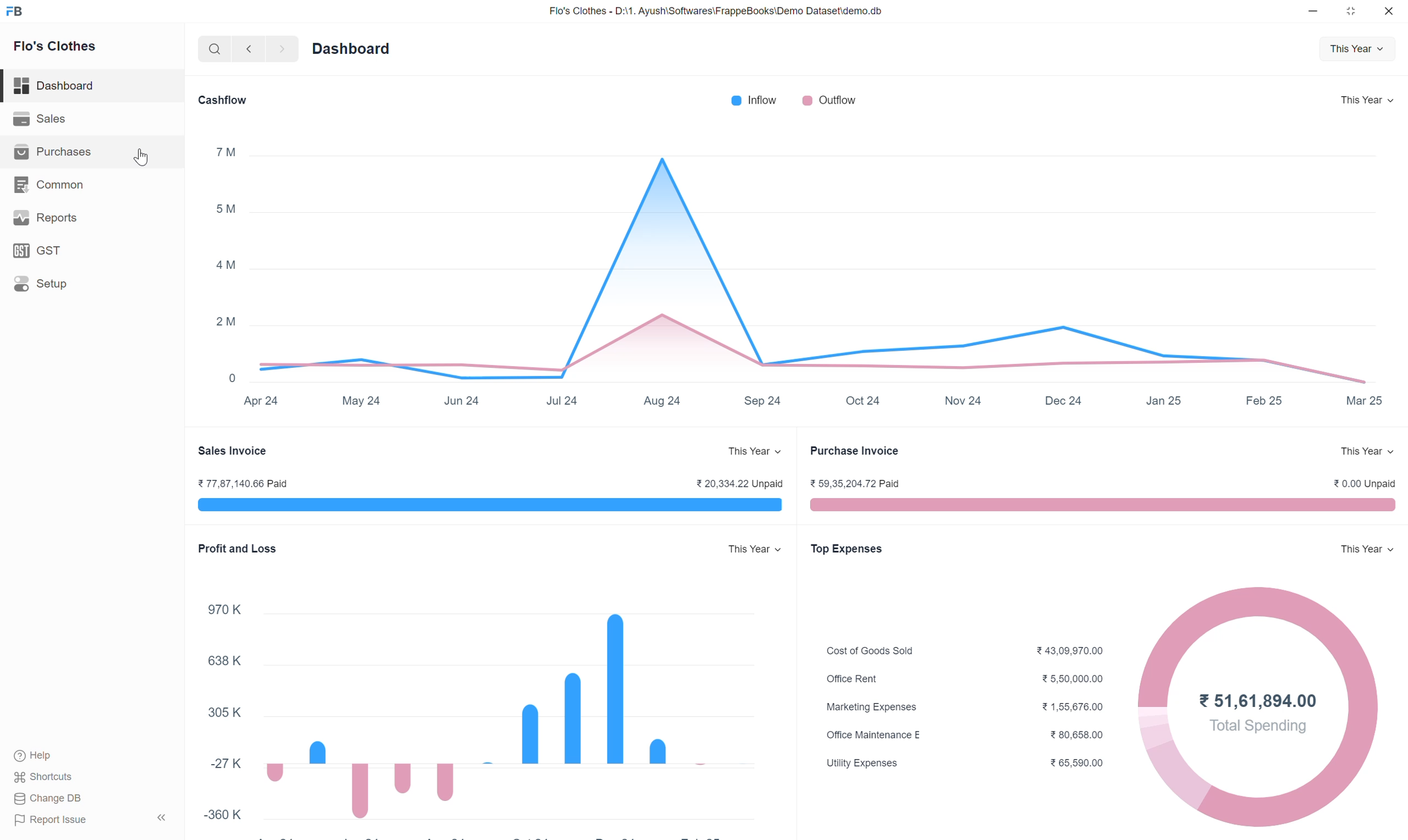 The width and height of the screenshot is (1408, 840). What do you see at coordinates (757, 451) in the screenshot?
I see `This Year` at bounding box center [757, 451].